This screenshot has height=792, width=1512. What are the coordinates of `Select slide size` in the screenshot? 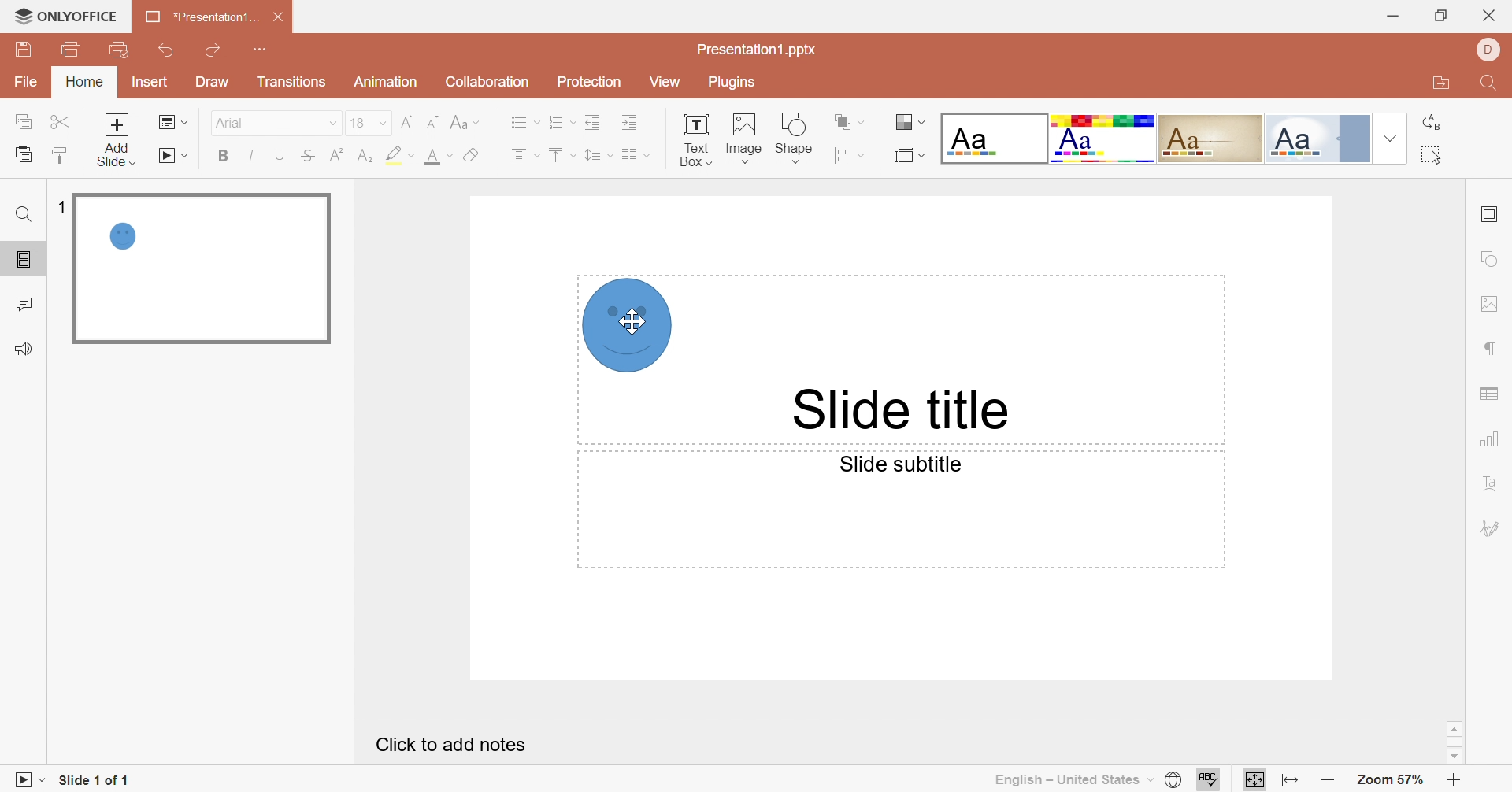 It's located at (910, 156).